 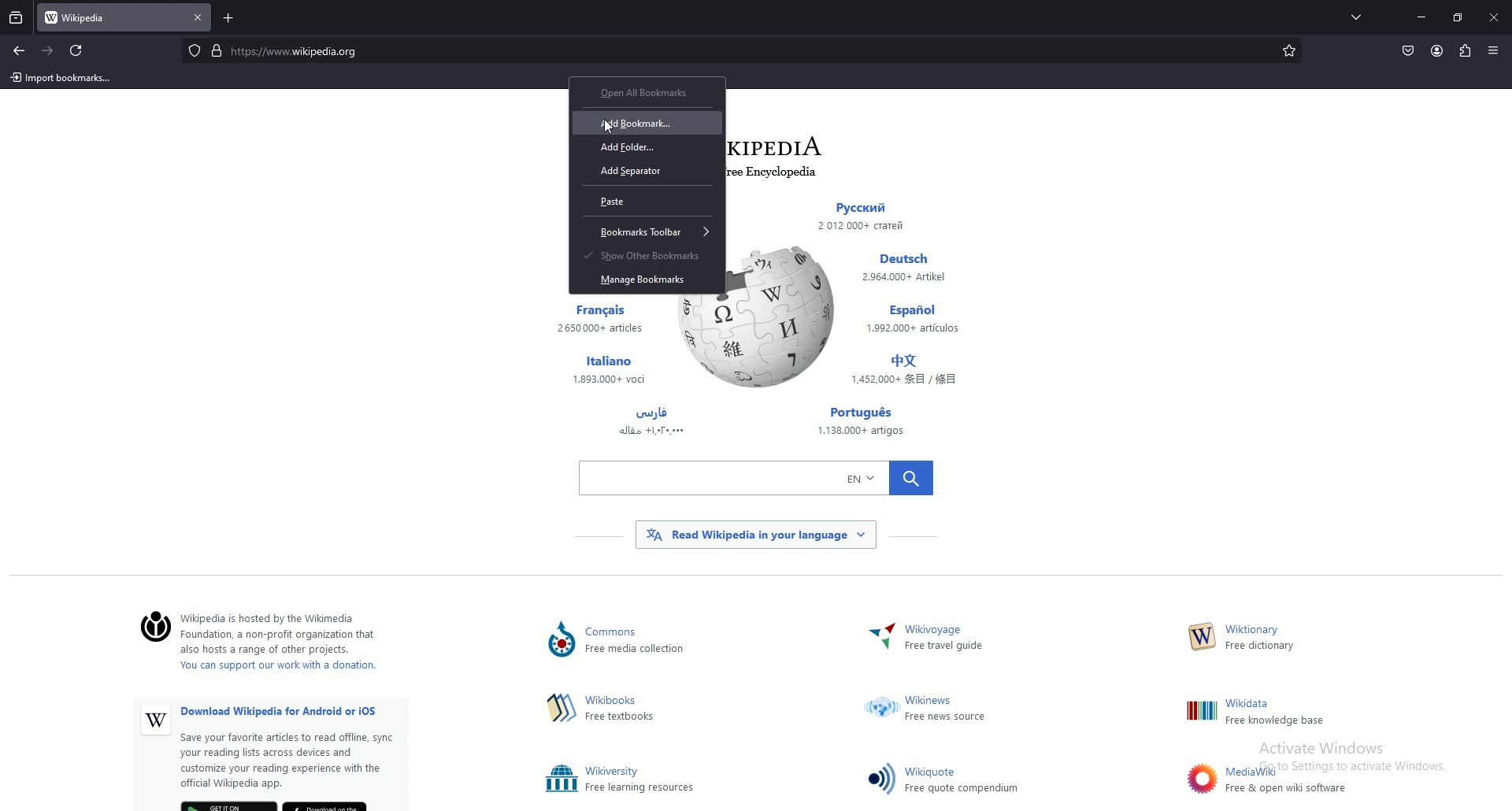 I want to click on add tab, so click(x=230, y=18).